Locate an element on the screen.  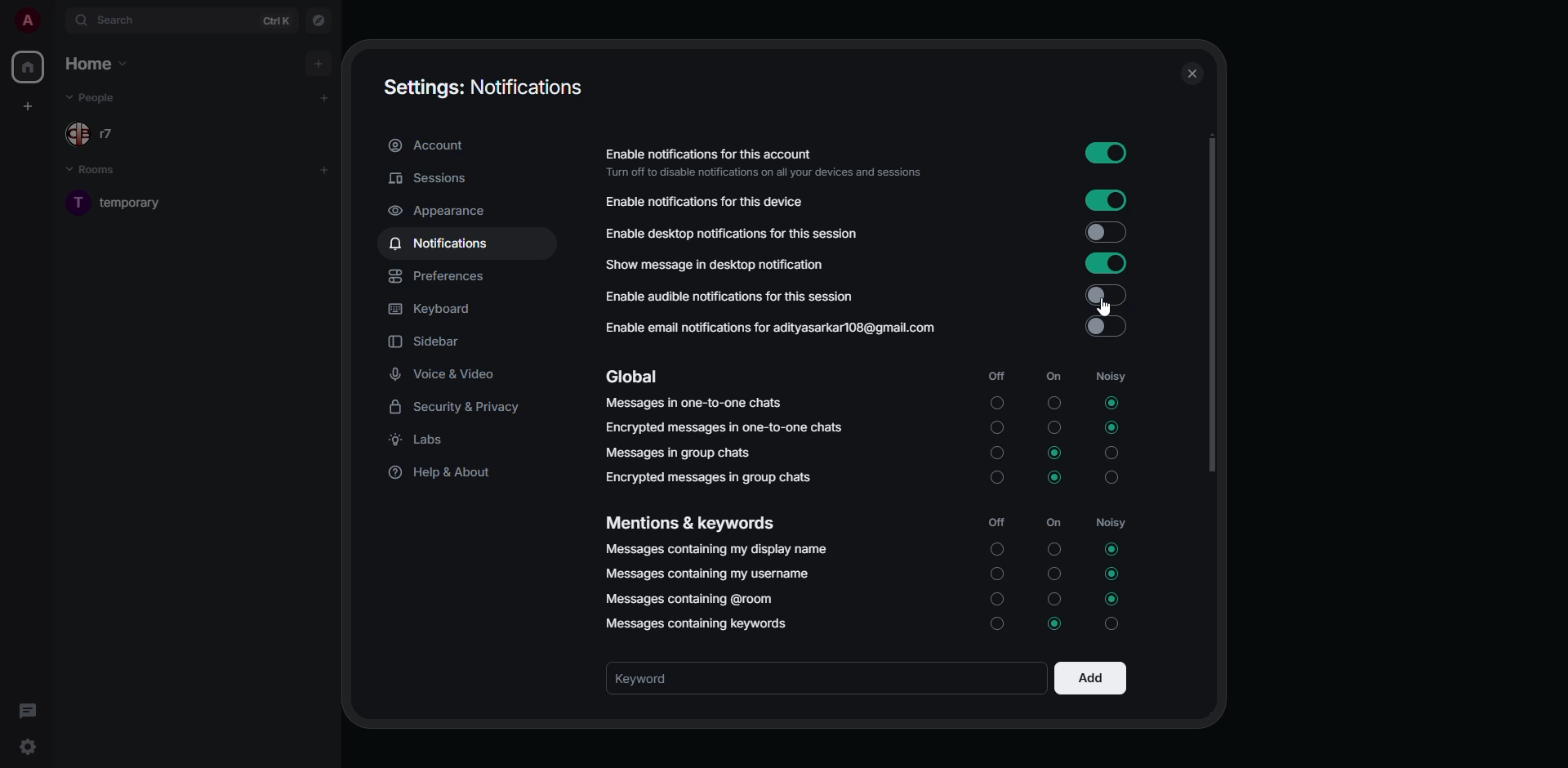
click to enable is located at coordinates (1103, 233).